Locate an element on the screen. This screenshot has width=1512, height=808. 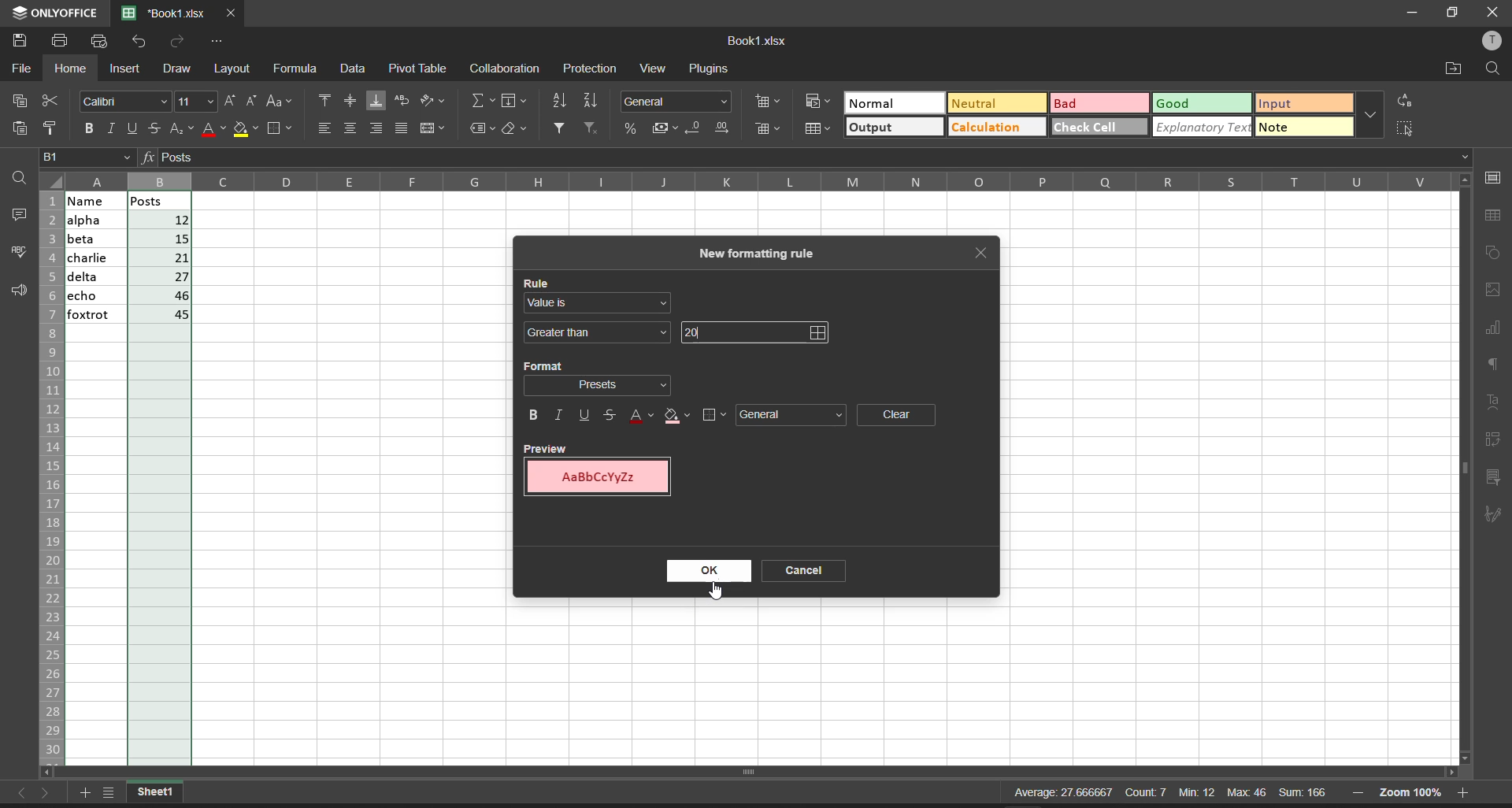
spell checking is located at coordinates (17, 251).